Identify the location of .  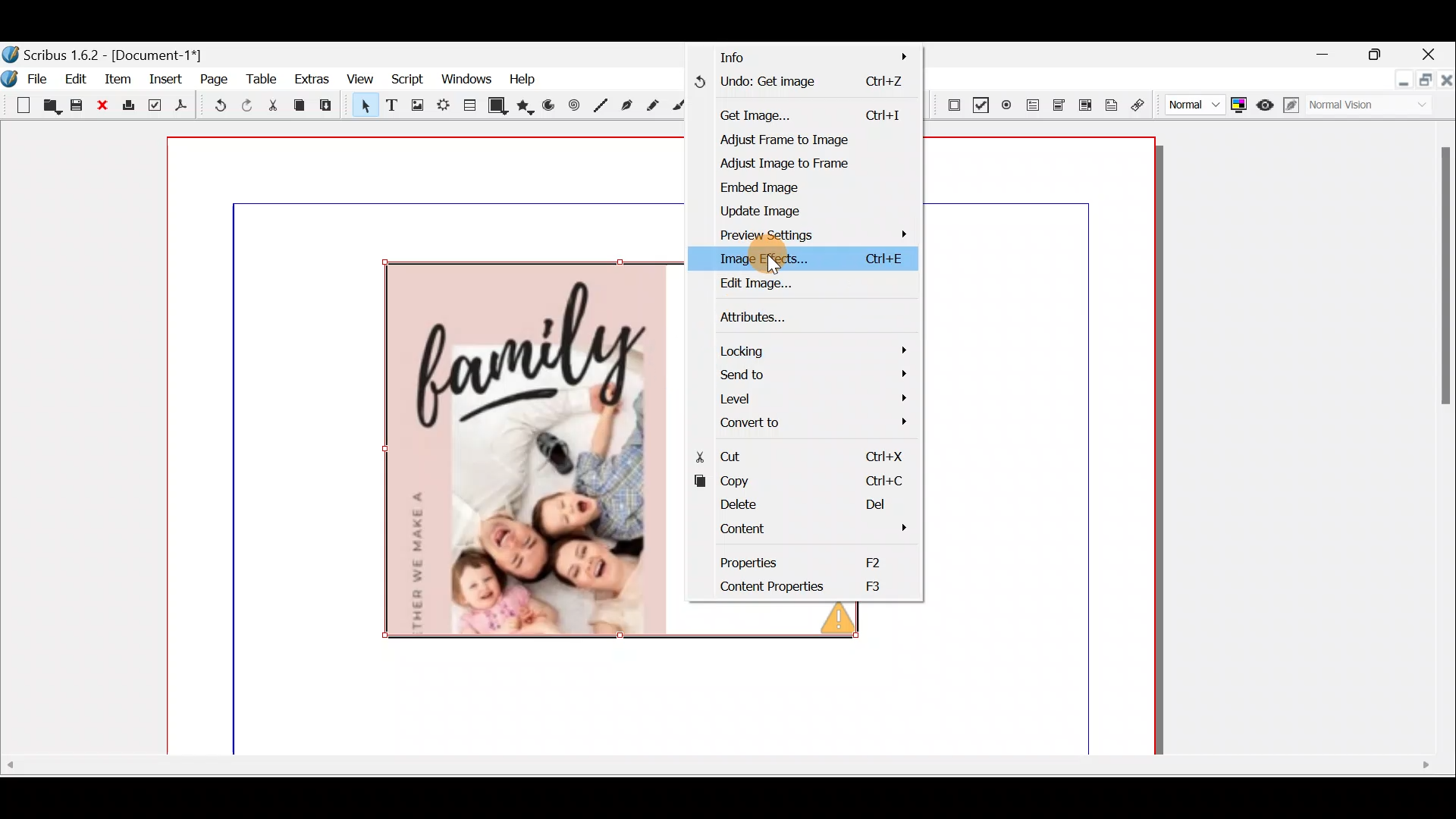
(838, 622).